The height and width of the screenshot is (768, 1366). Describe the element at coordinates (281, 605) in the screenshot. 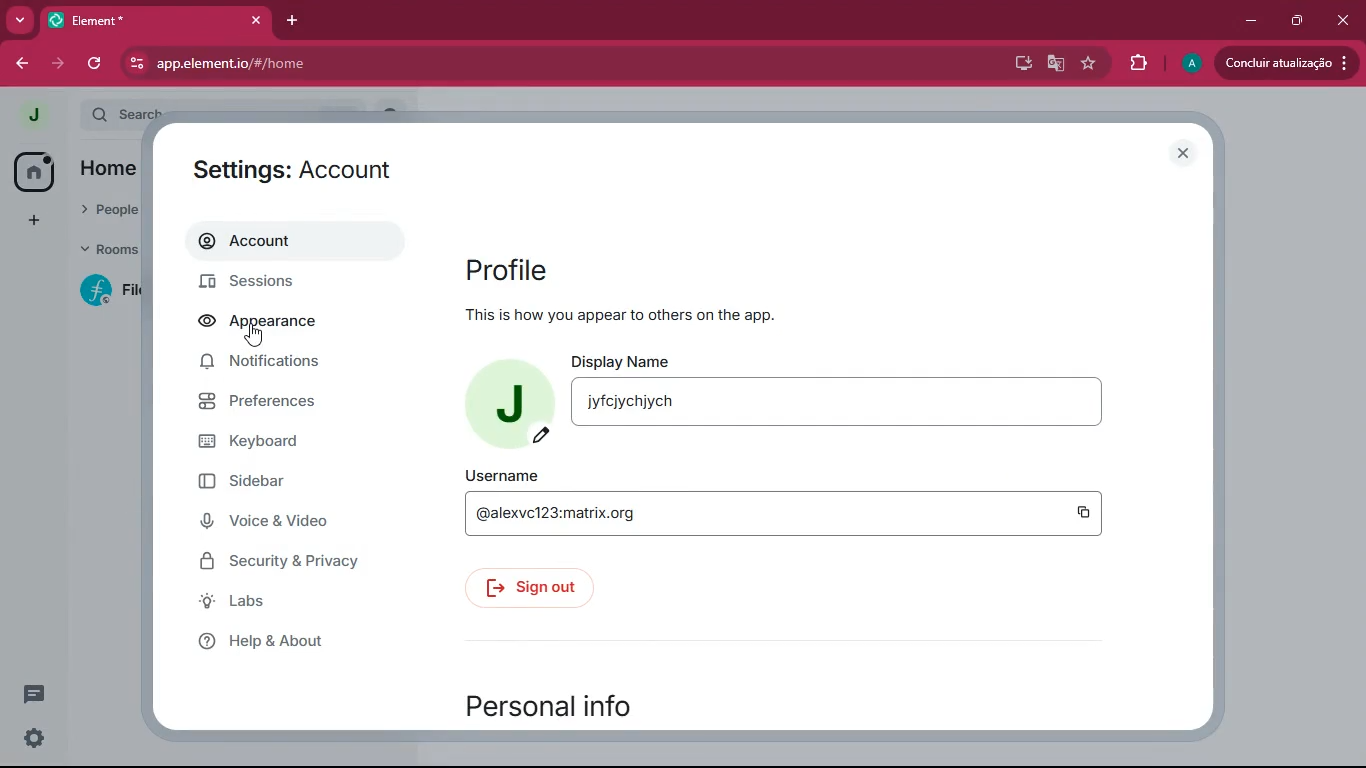

I see `labs` at that location.